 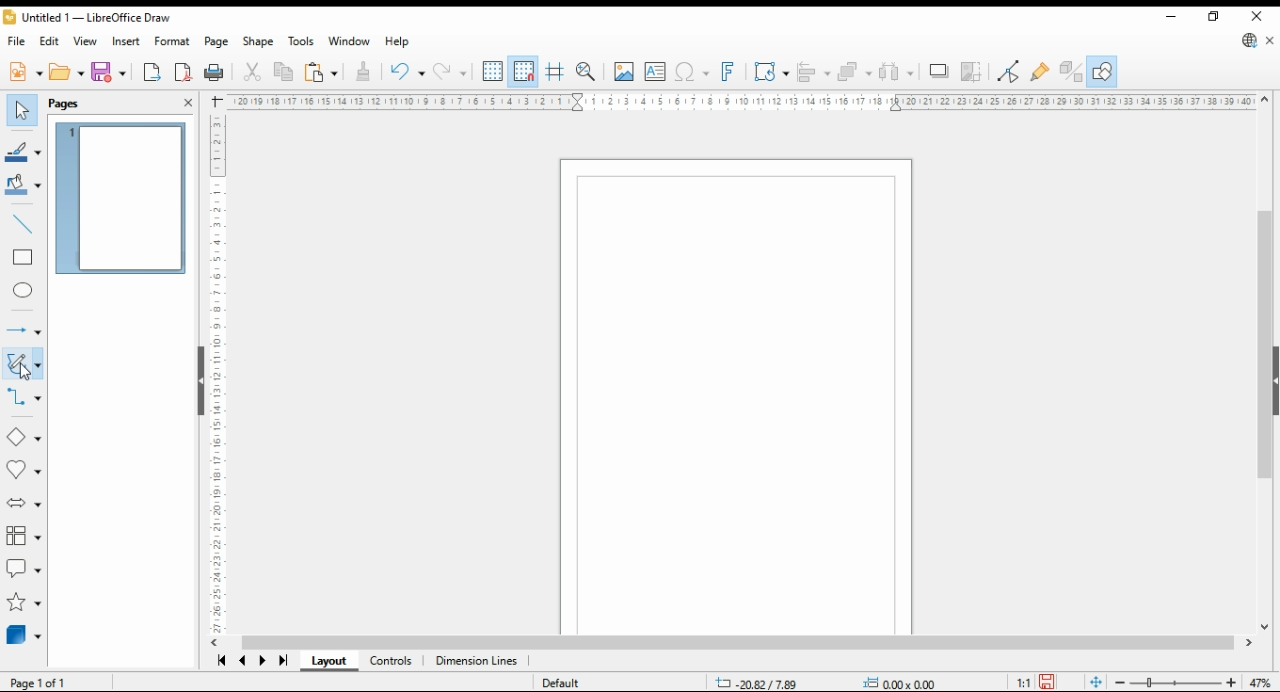 What do you see at coordinates (972, 71) in the screenshot?
I see `crop image` at bounding box center [972, 71].